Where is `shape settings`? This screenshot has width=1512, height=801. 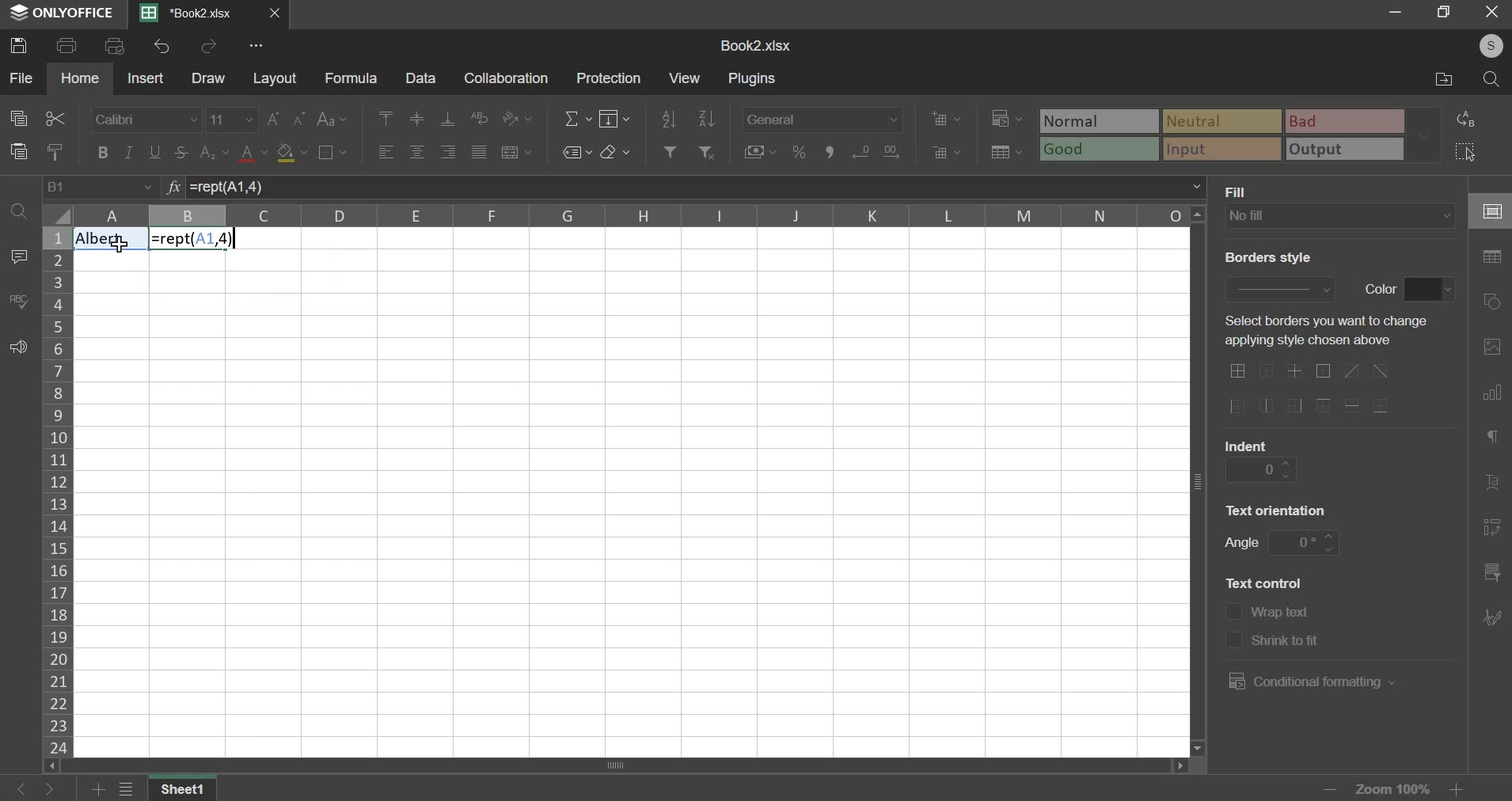 shape settings is located at coordinates (1493, 297).